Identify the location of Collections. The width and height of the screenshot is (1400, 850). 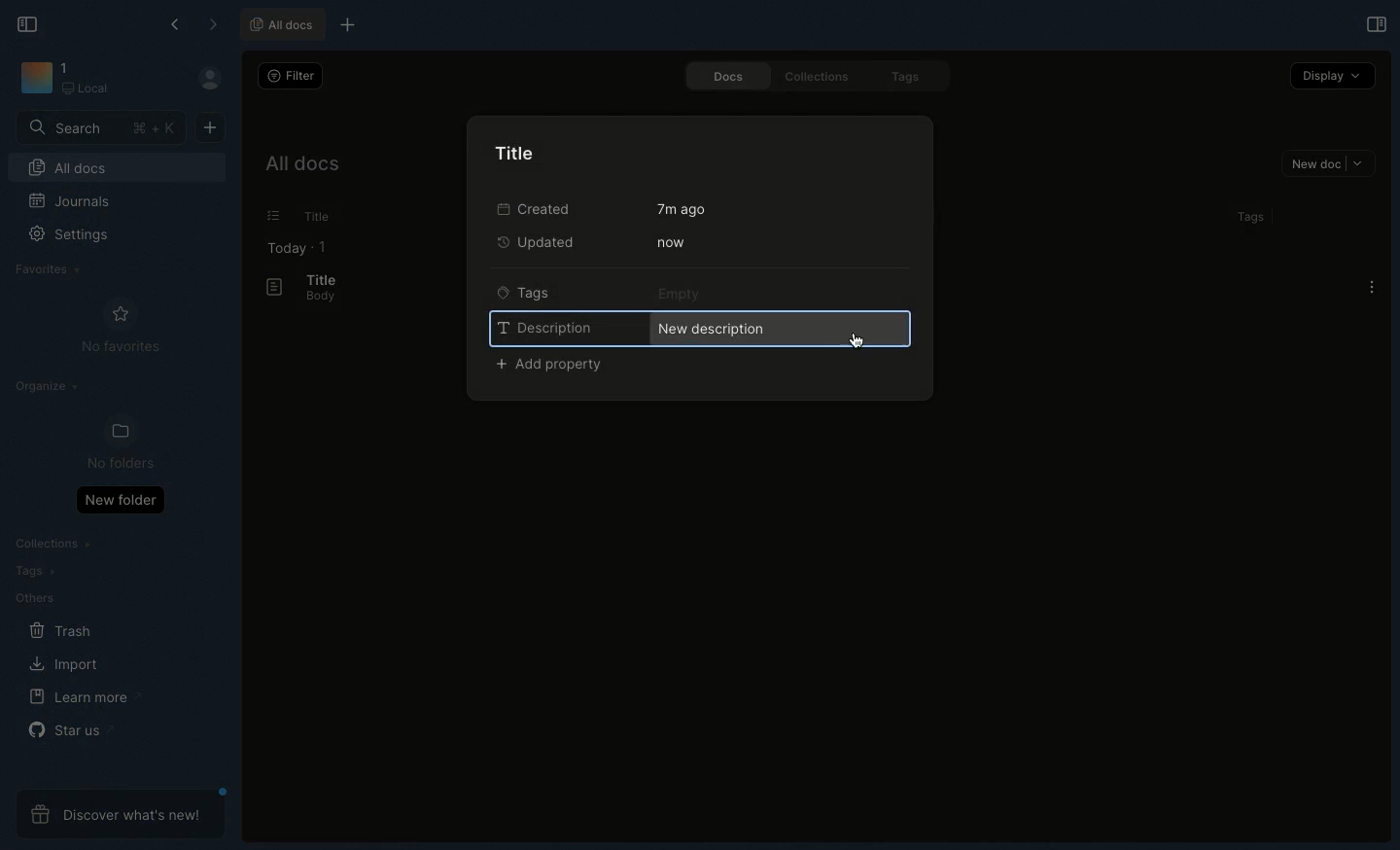
(55, 546).